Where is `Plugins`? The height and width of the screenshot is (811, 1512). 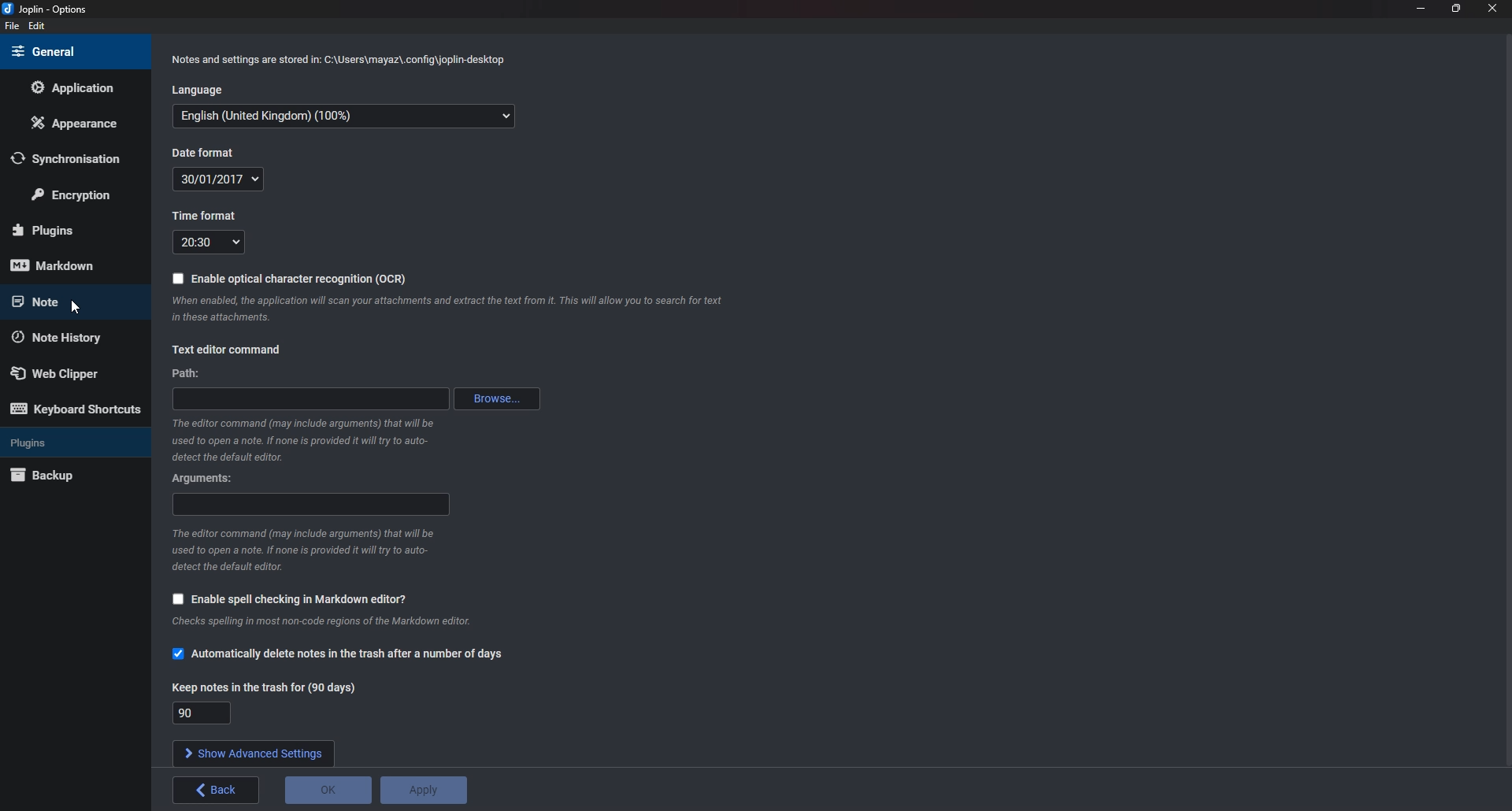
Plugins is located at coordinates (71, 230).